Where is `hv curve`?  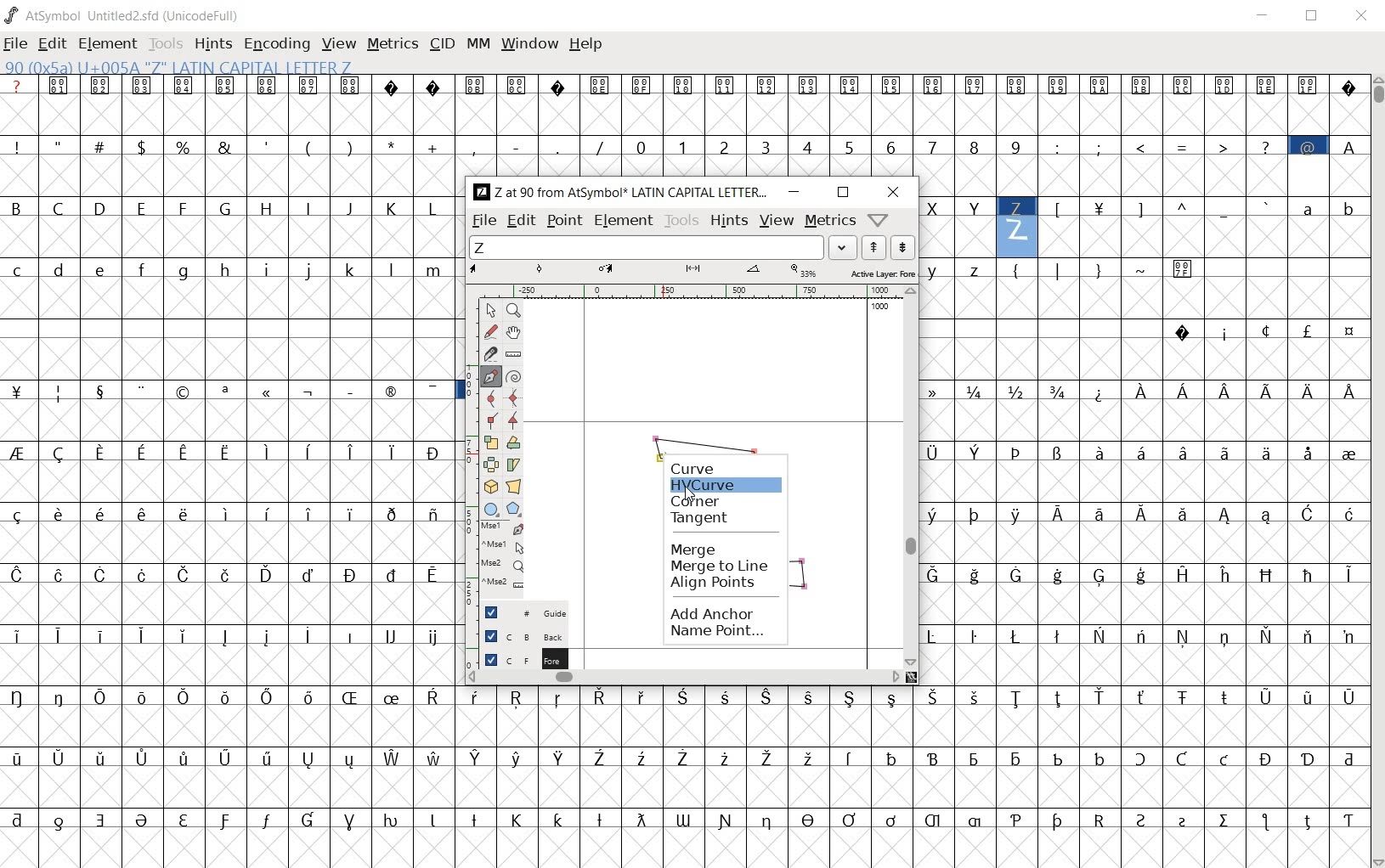 hv curve is located at coordinates (726, 484).